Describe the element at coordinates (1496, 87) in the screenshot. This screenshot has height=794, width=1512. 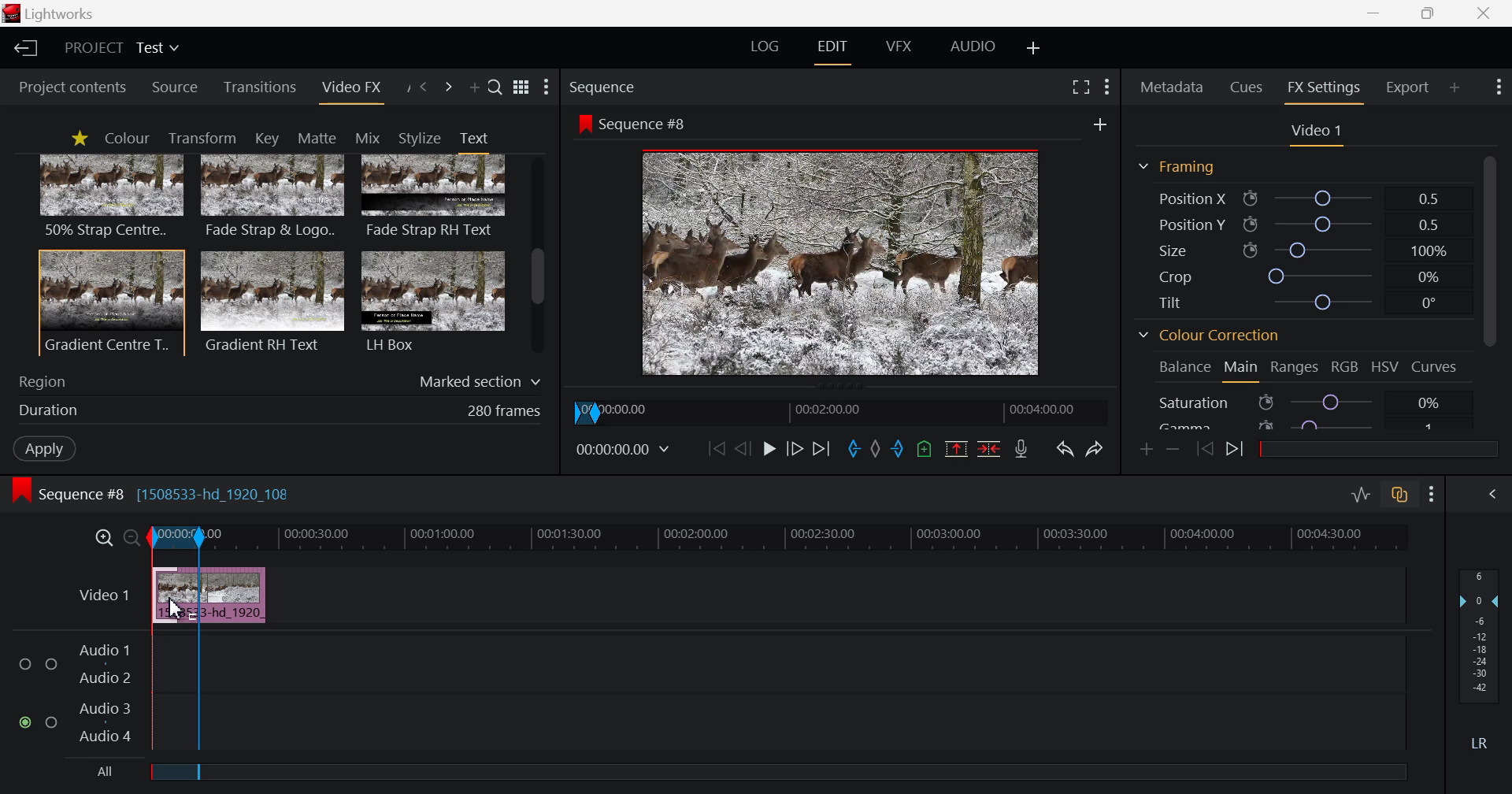
I see `Show Settings` at that location.